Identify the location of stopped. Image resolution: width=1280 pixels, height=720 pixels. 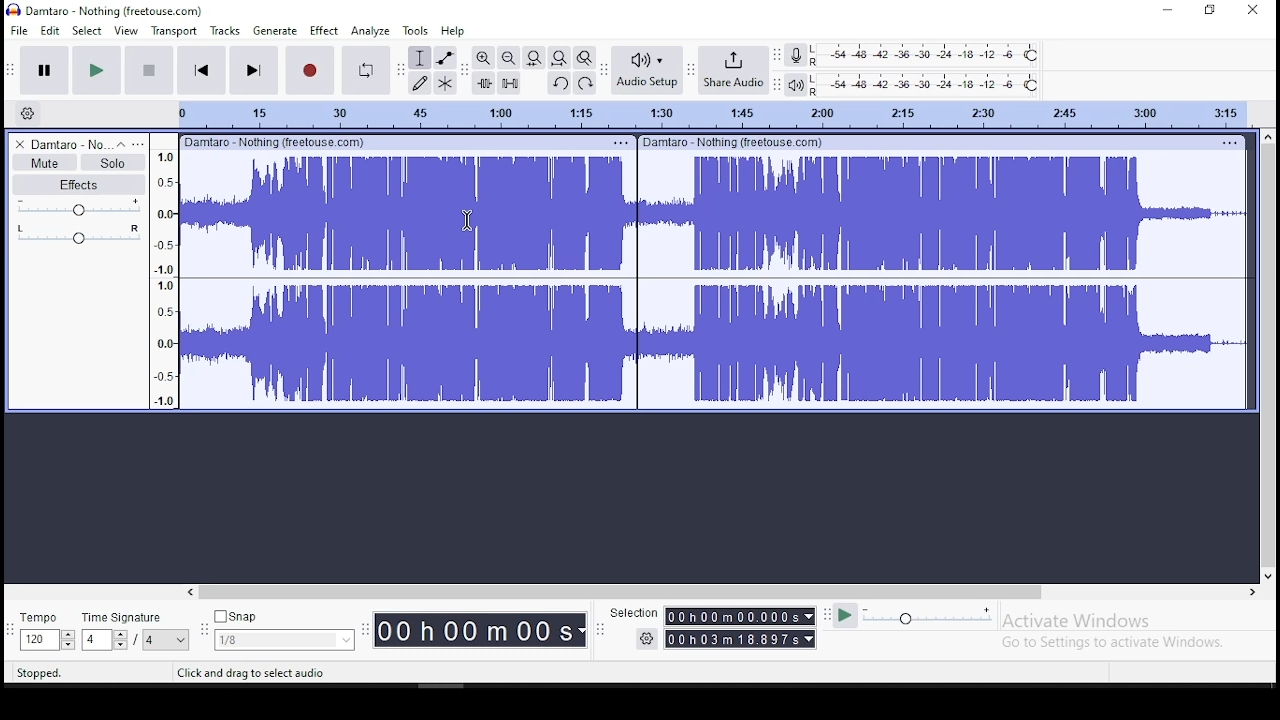
(40, 673).